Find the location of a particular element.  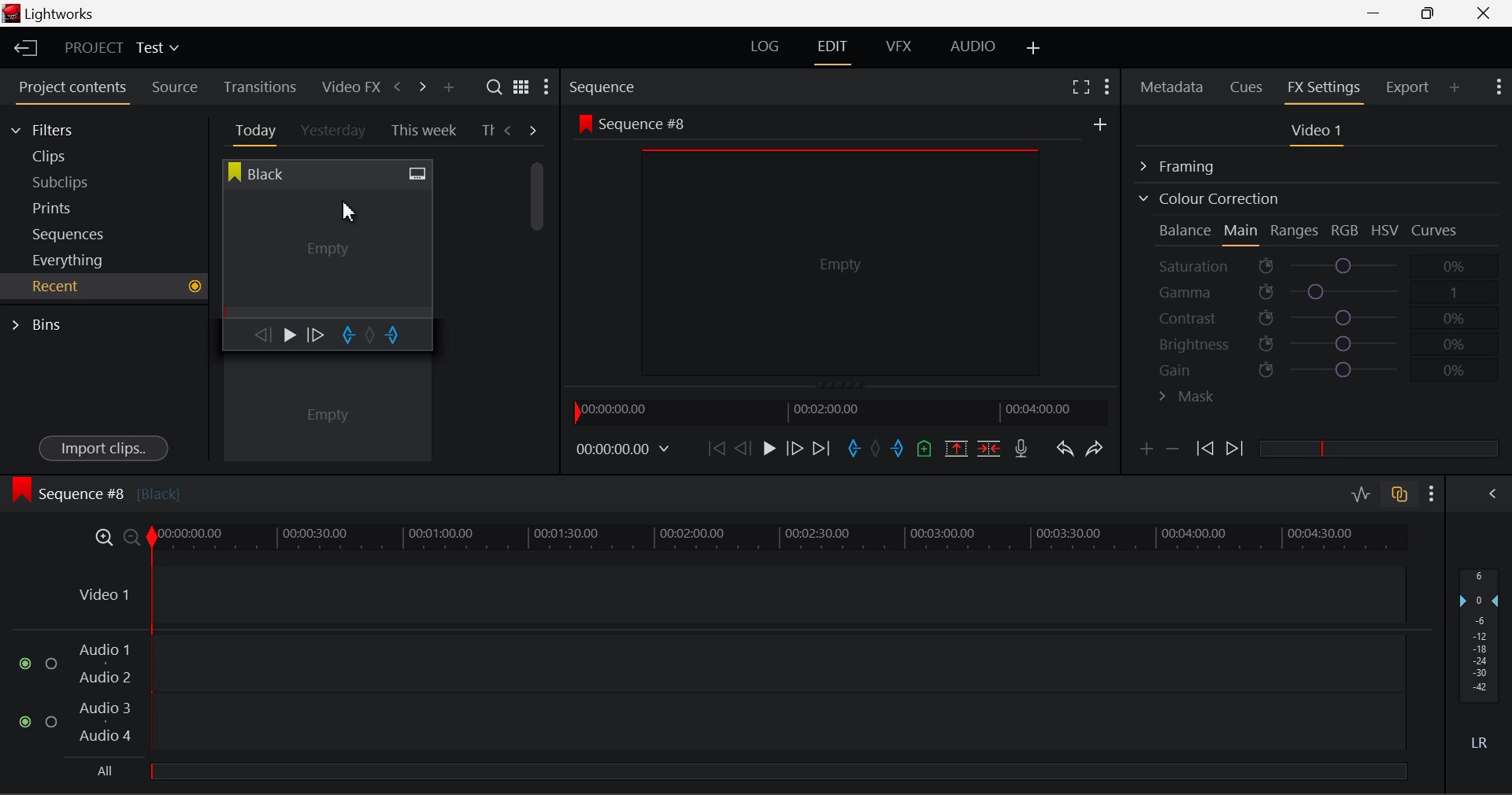

Previous Panel is located at coordinates (397, 87).